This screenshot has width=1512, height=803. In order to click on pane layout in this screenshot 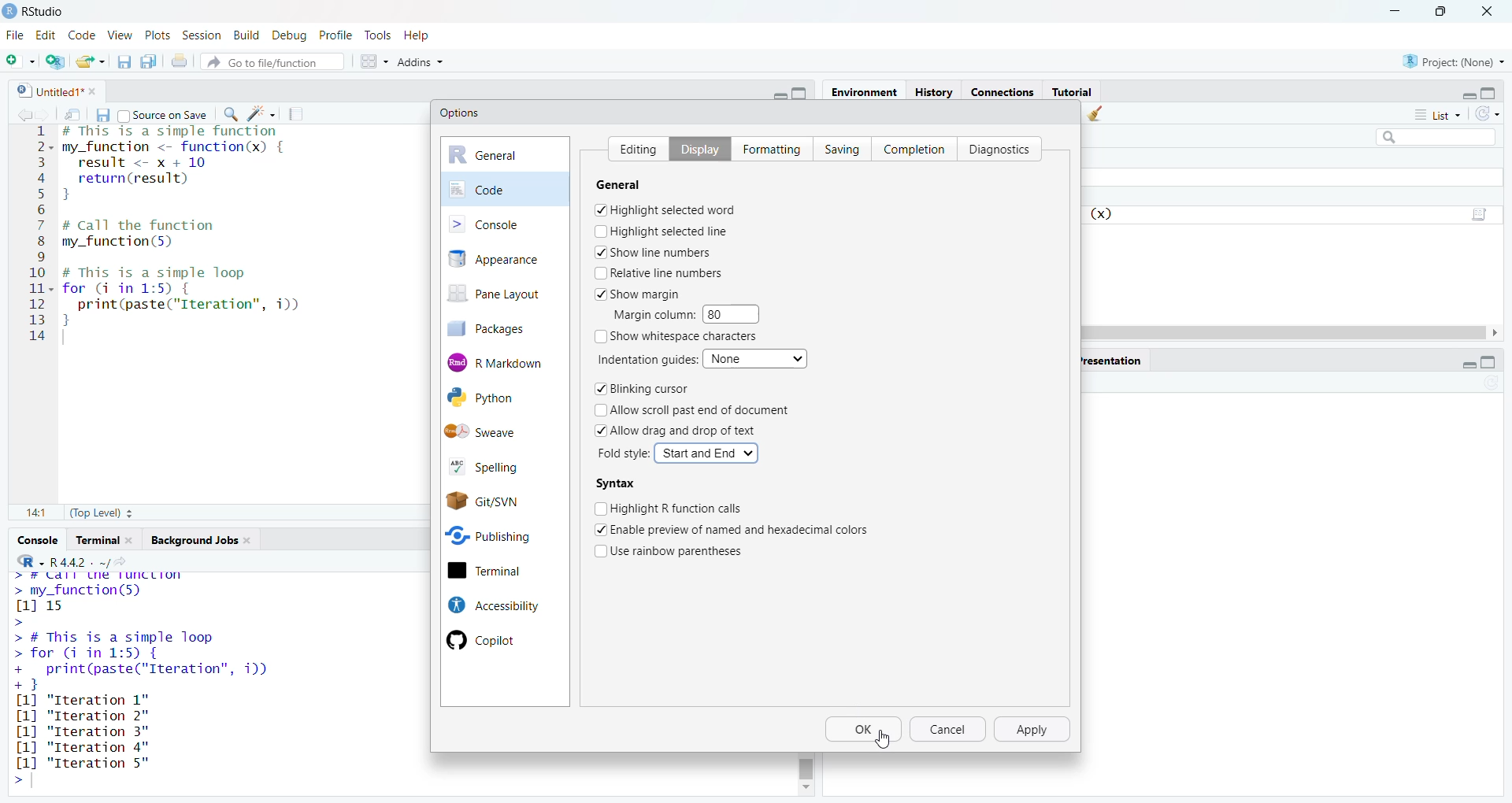, I will do `click(499, 295)`.